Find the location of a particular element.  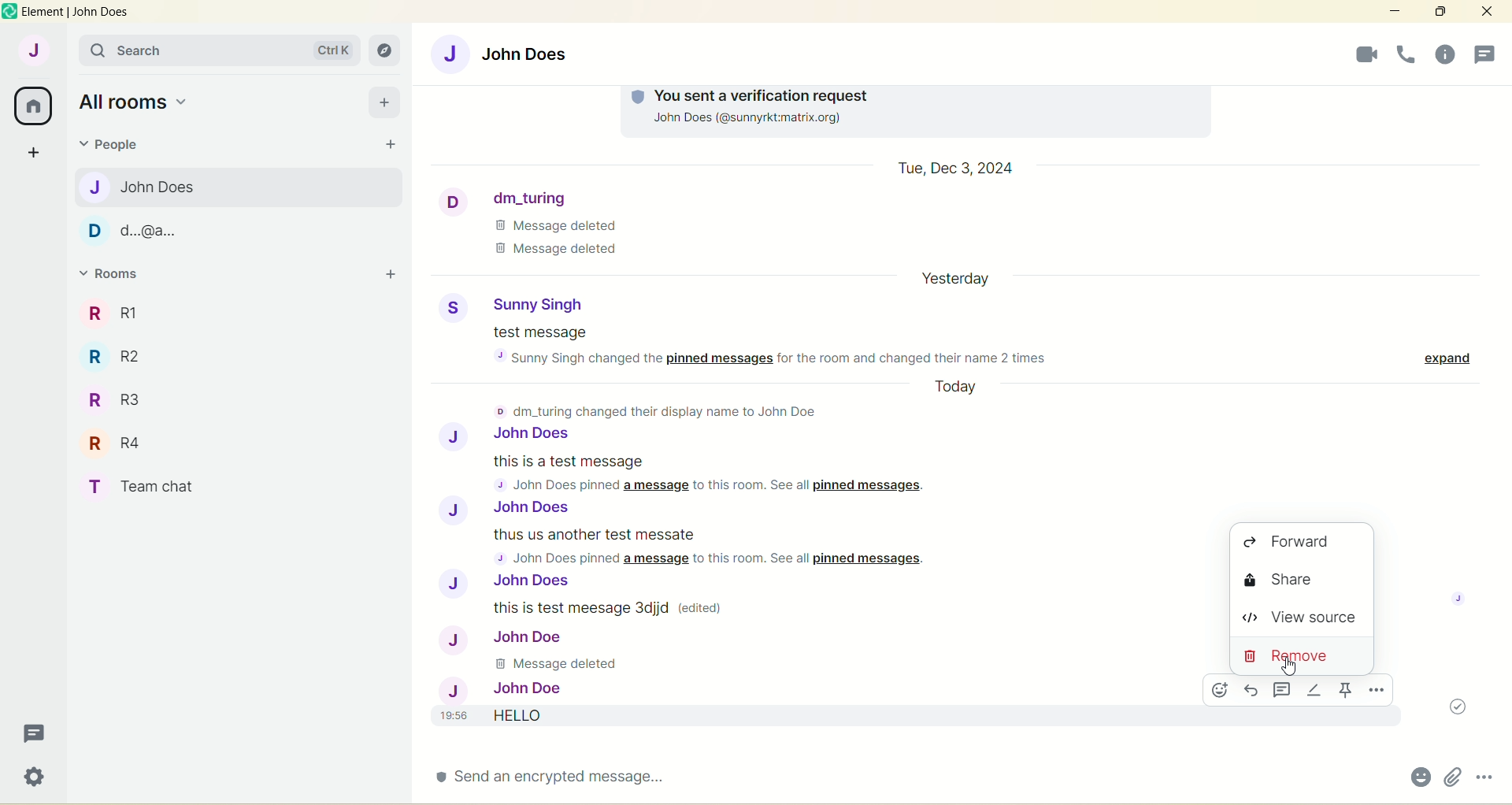

Today is located at coordinates (963, 389).